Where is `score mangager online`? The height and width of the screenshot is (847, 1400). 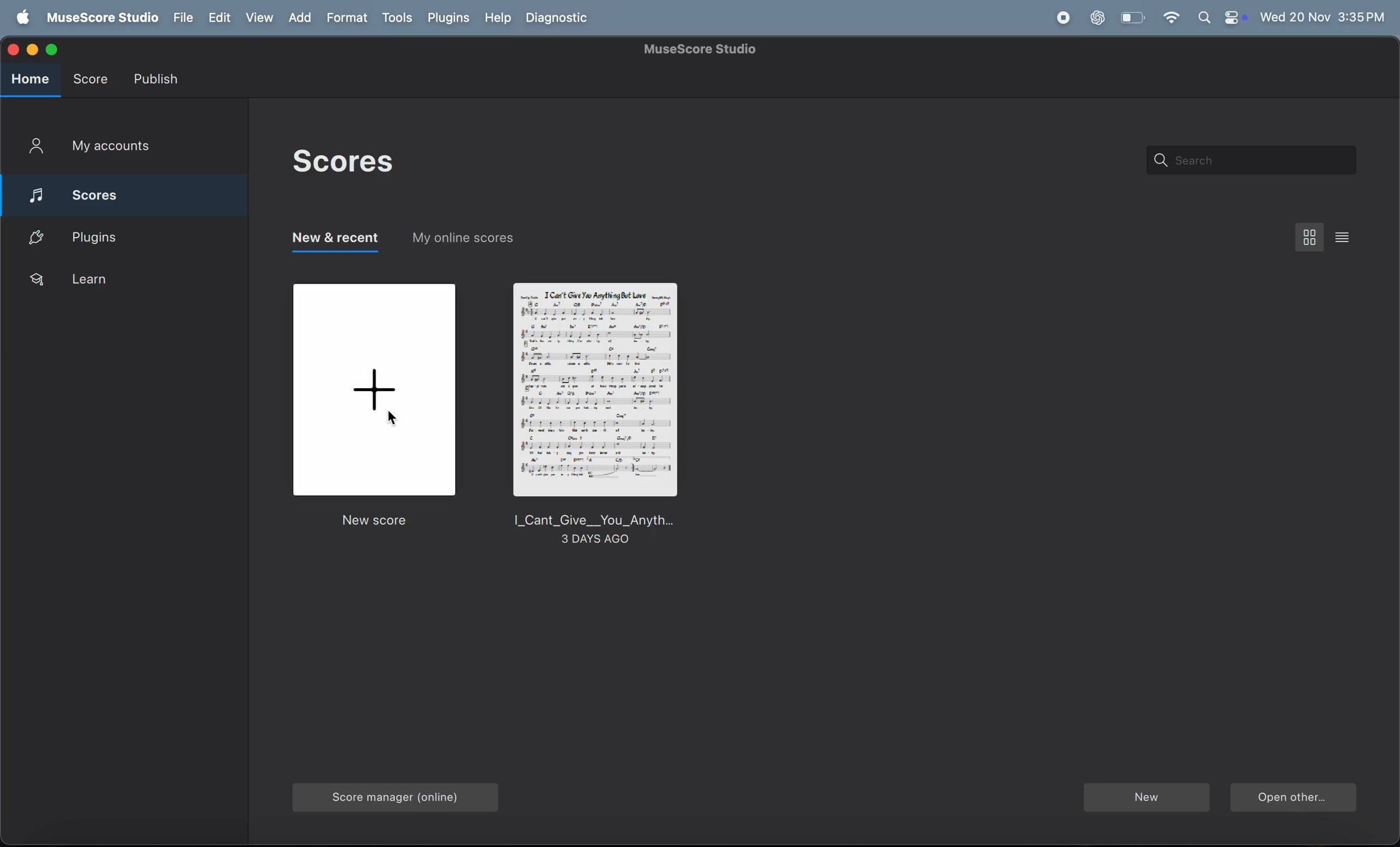
score mangager online is located at coordinates (400, 794).